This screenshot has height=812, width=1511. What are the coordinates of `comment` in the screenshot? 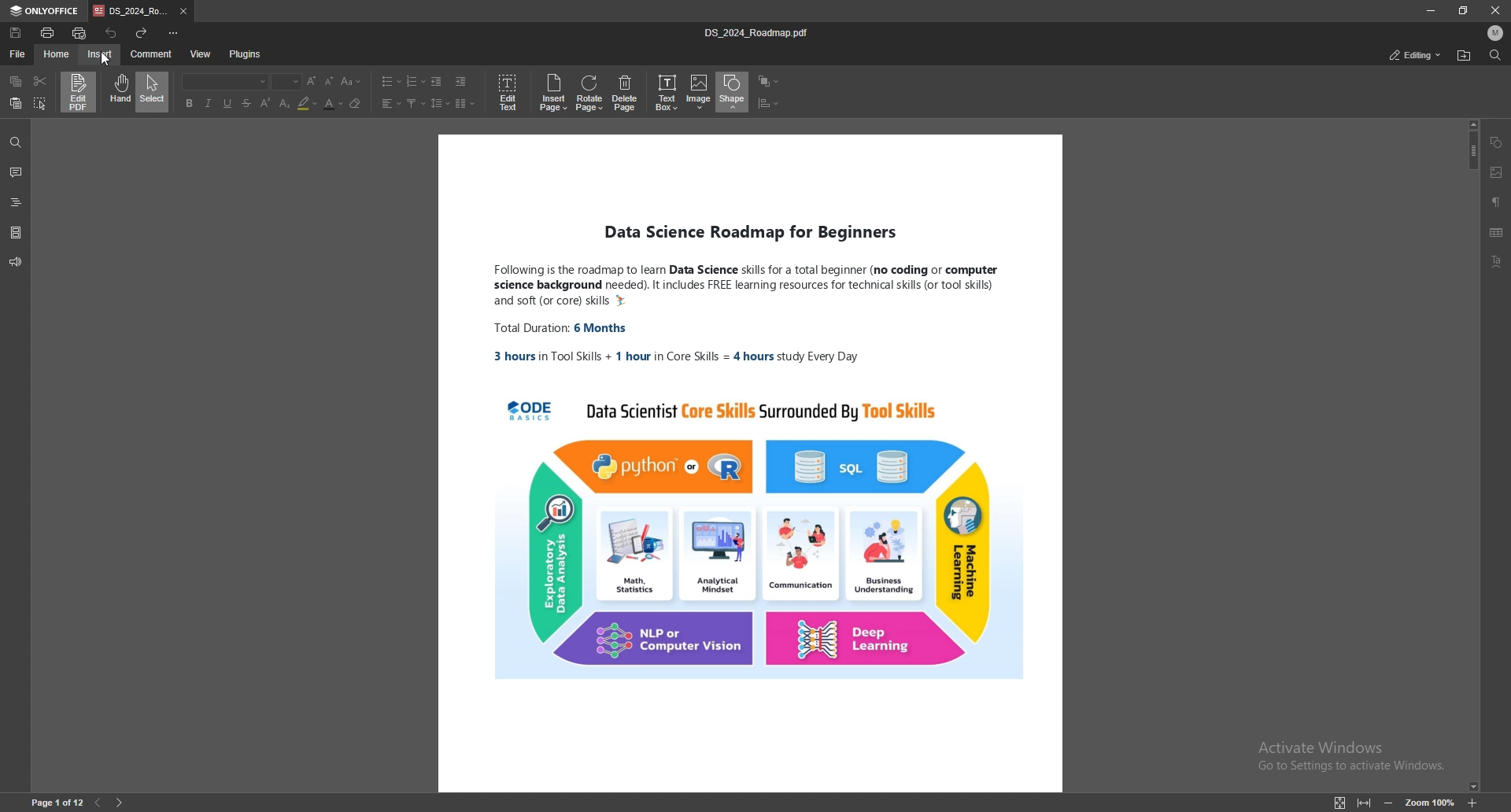 It's located at (151, 54).